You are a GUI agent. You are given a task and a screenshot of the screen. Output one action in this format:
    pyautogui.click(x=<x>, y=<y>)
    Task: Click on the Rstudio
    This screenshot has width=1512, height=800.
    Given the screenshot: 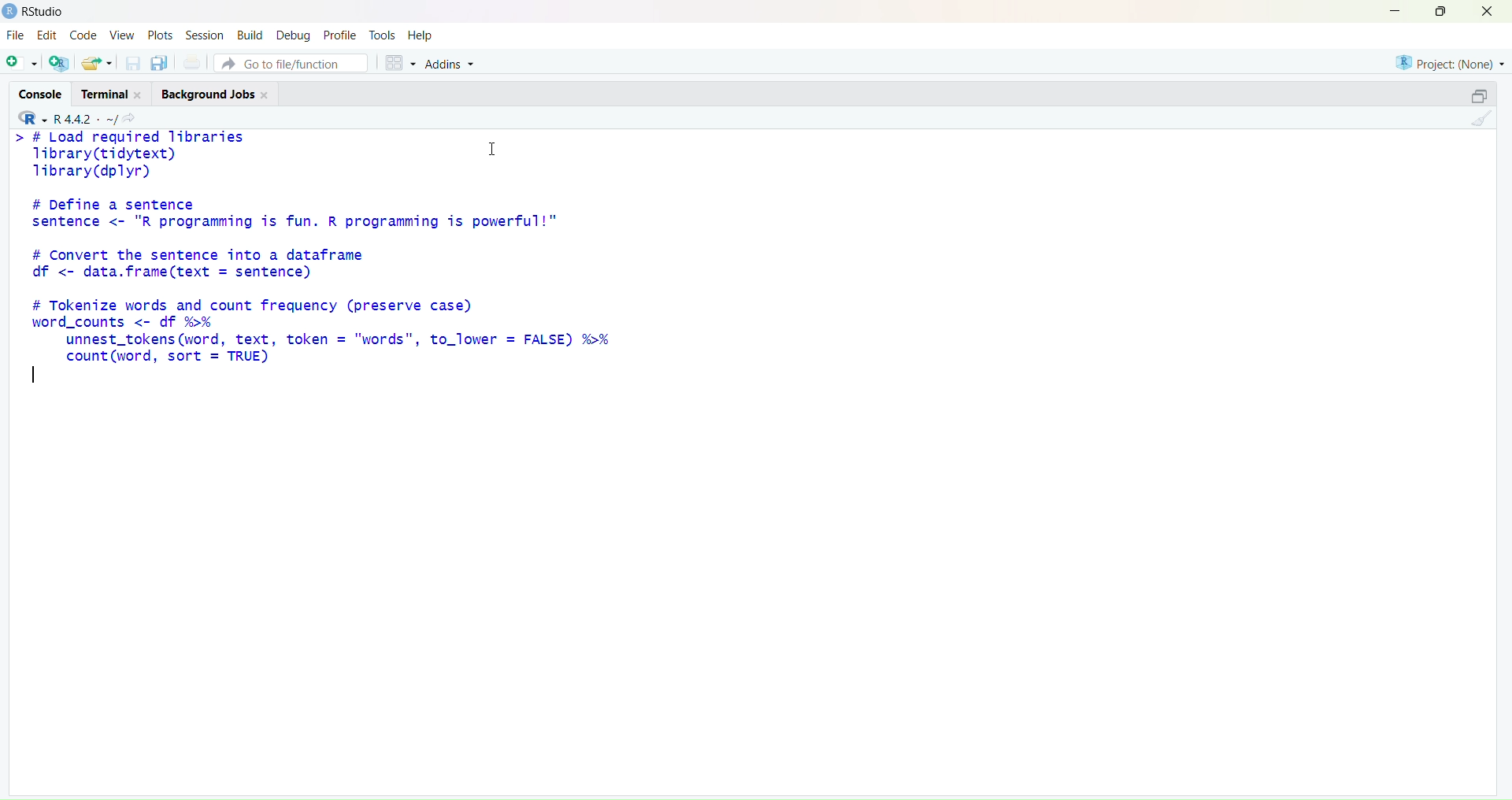 What is the action you would take?
    pyautogui.click(x=36, y=12)
    